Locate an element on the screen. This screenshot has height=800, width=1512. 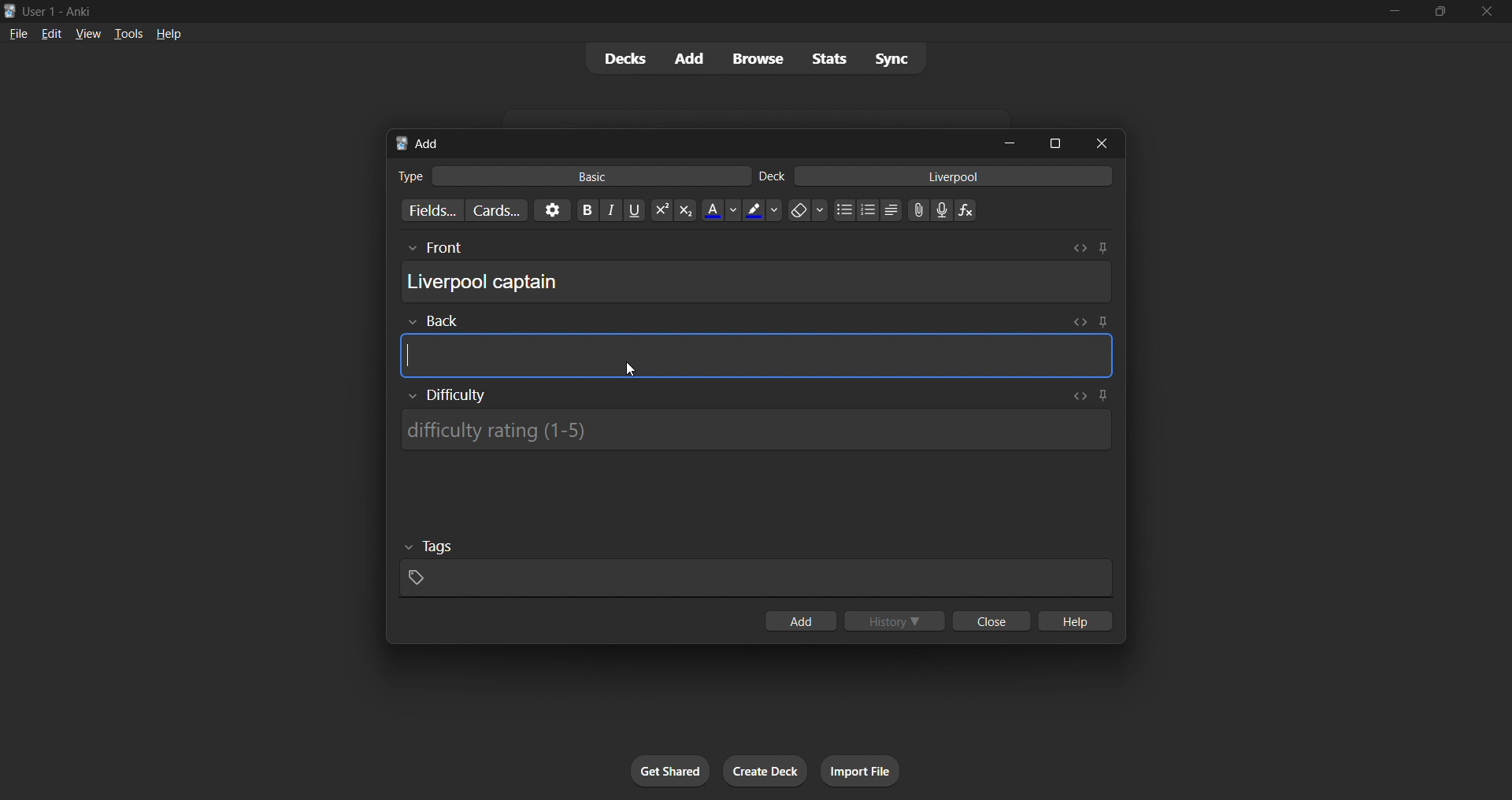
Equation is located at coordinates (965, 210).